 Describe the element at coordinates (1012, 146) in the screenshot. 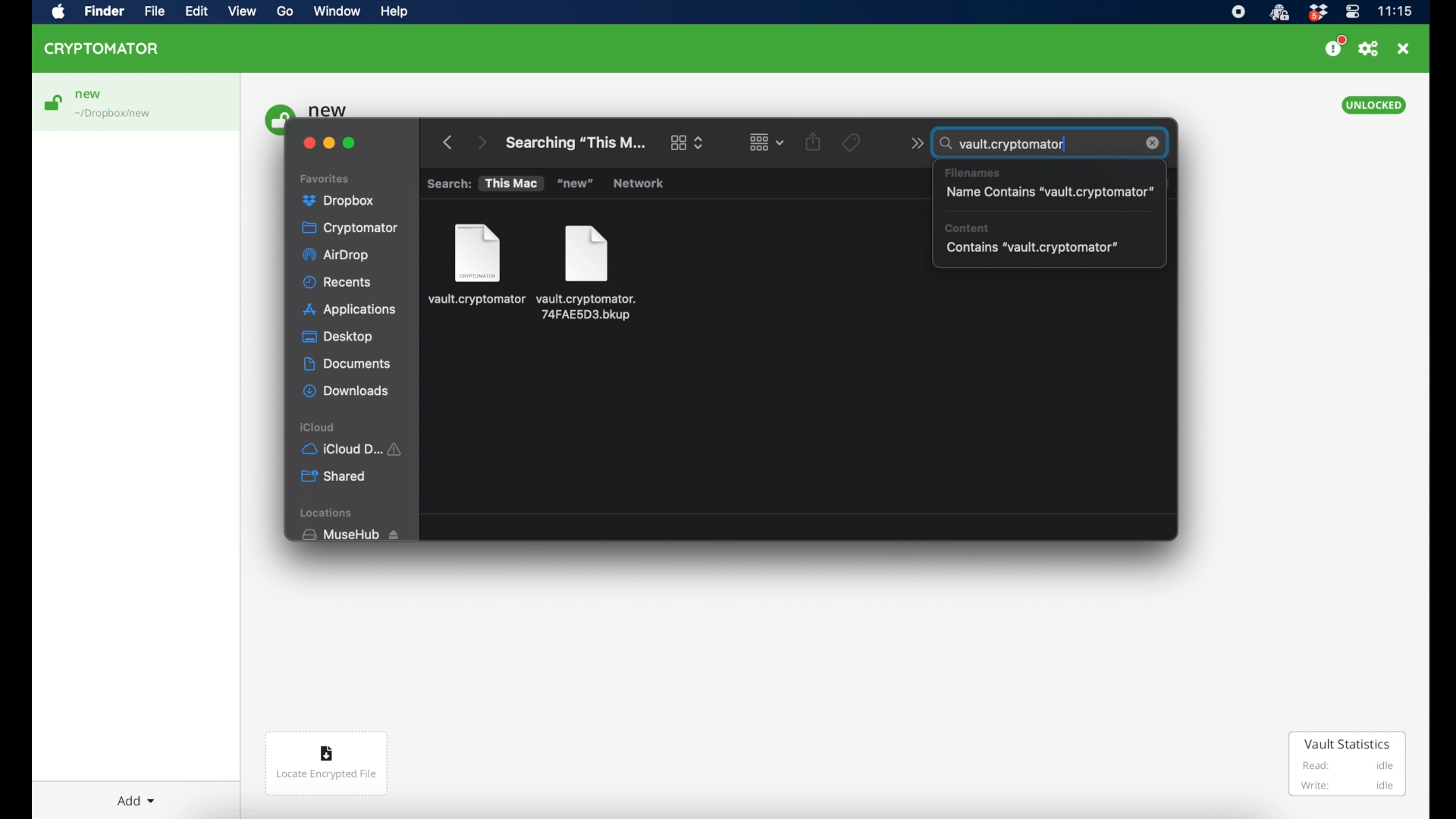

I see `vault.cryptomator` at that location.